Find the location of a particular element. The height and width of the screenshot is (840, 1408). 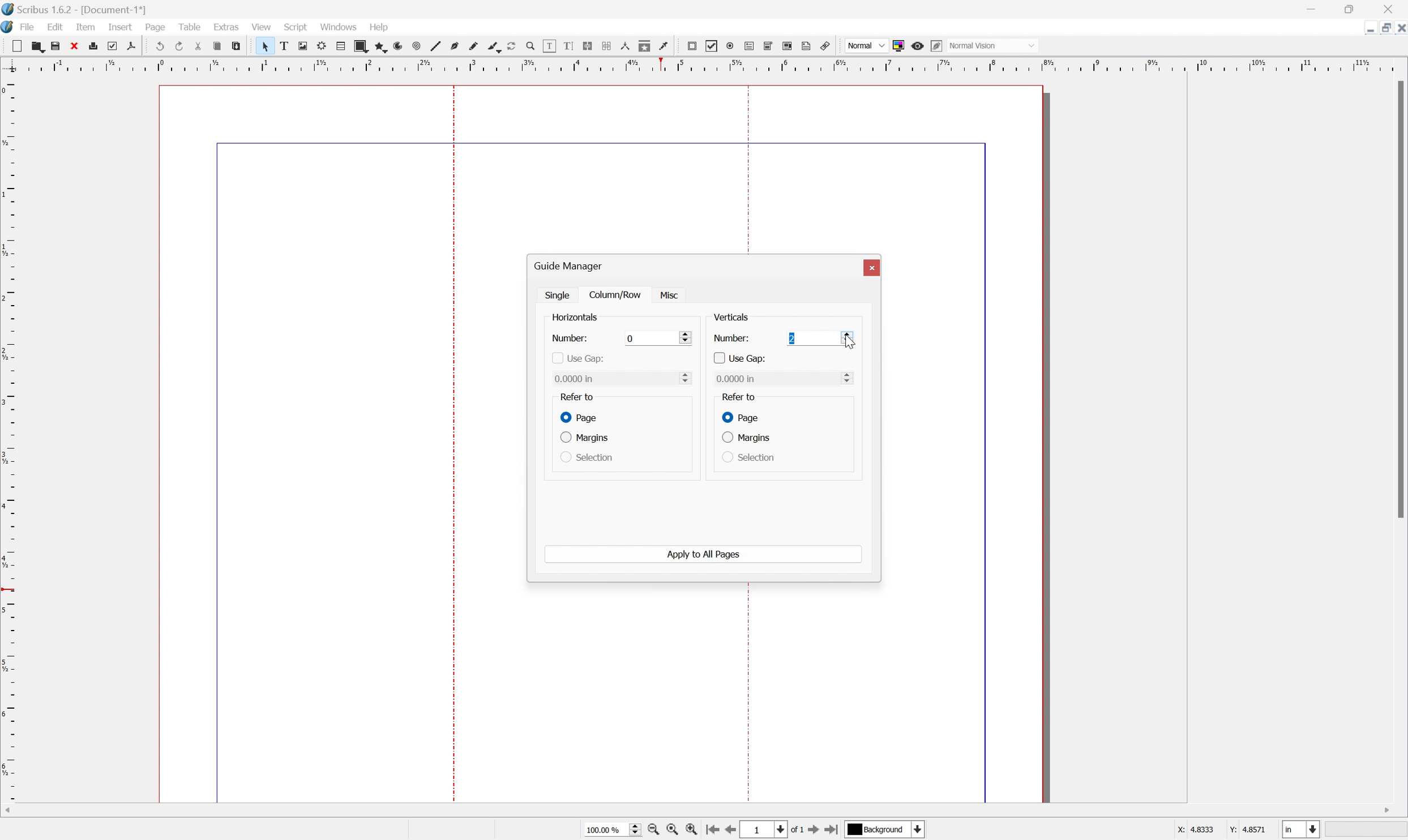

page is located at coordinates (577, 416).